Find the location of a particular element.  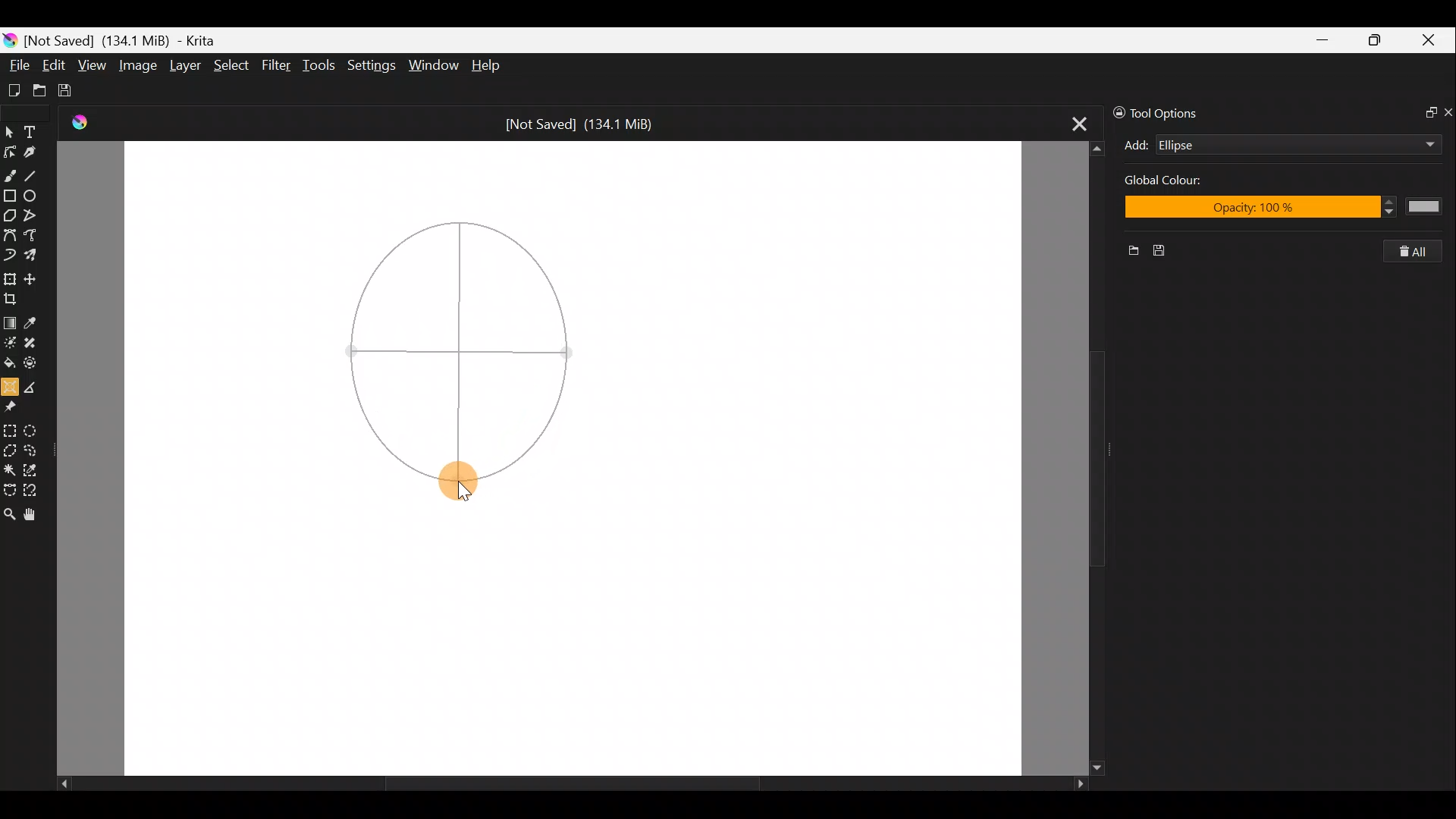

Smart patch tool is located at coordinates (37, 345).